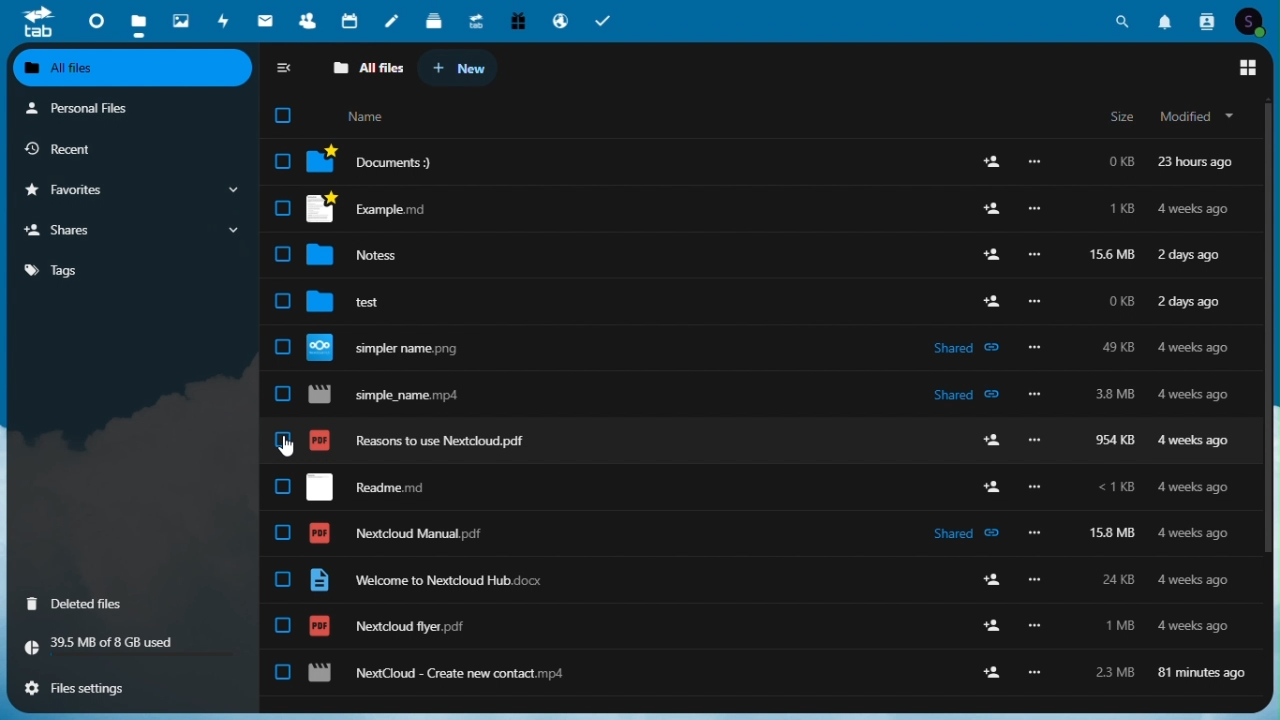 The width and height of the screenshot is (1280, 720). Describe the element at coordinates (289, 67) in the screenshot. I see `collapse sidebar` at that location.